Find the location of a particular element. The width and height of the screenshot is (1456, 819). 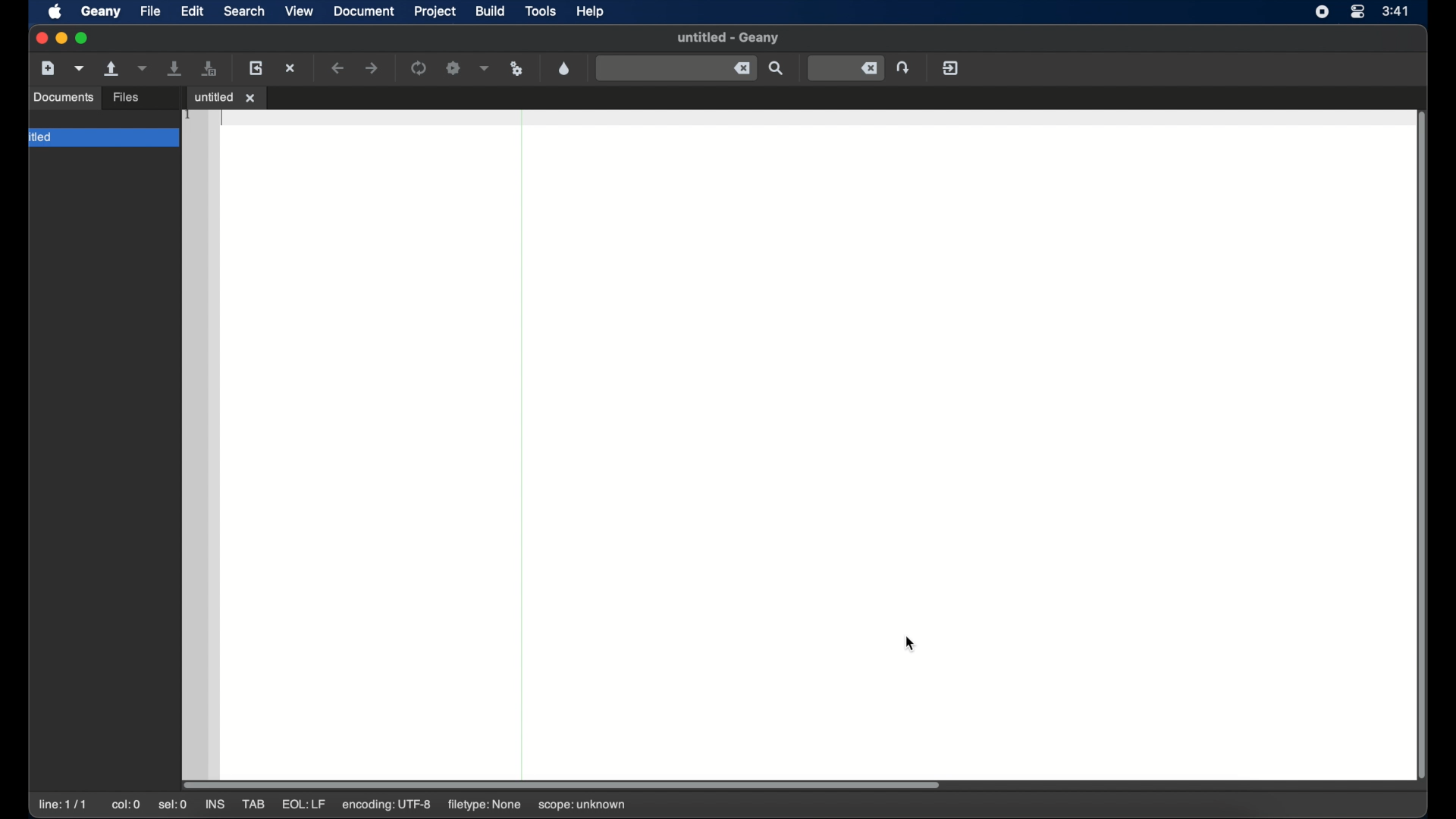

create a new file is located at coordinates (48, 68).